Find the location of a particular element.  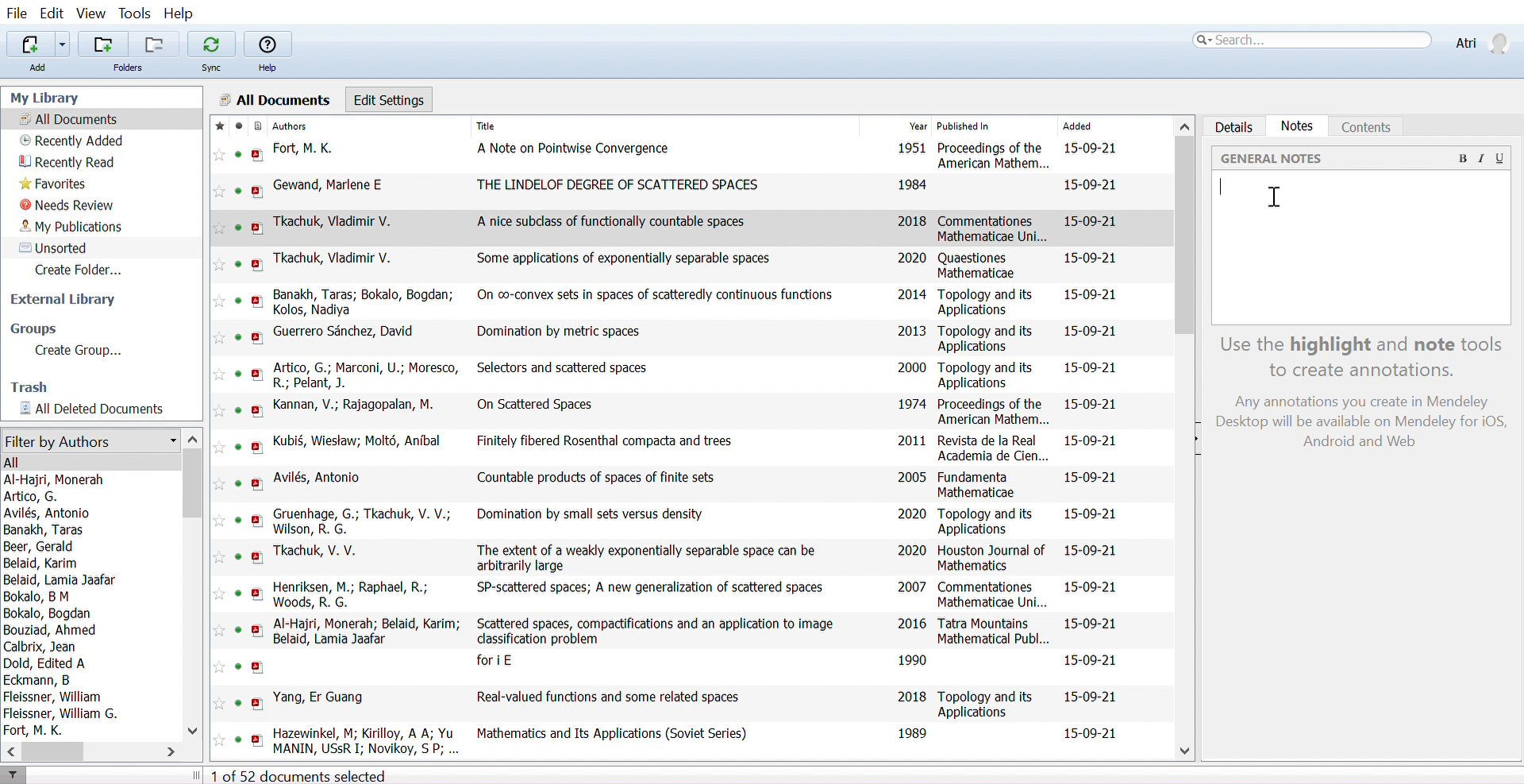

Authors is located at coordinates (291, 126).